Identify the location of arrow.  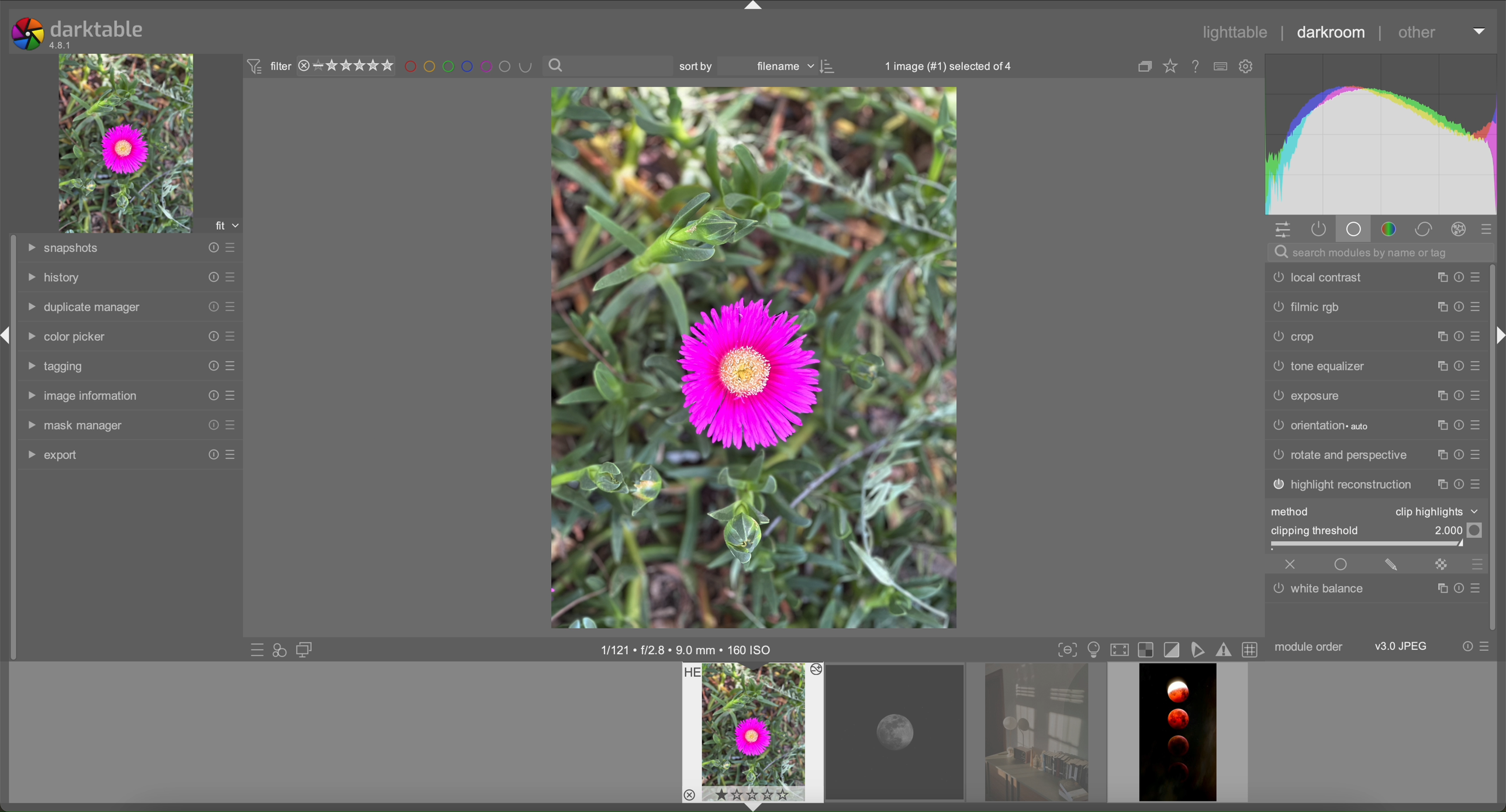
(1479, 30).